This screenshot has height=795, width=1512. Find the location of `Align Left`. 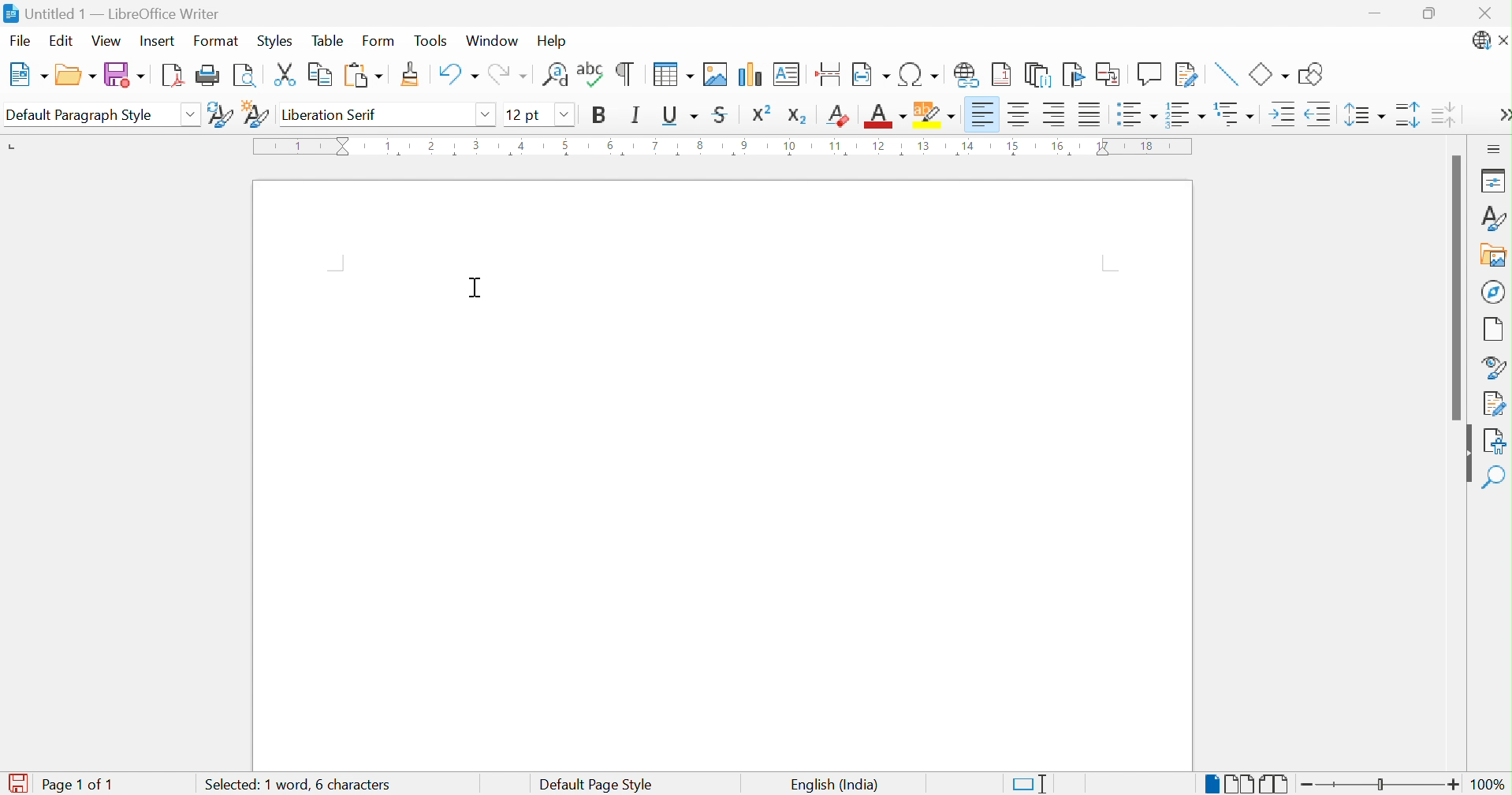

Align Left is located at coordinates (982, 114).